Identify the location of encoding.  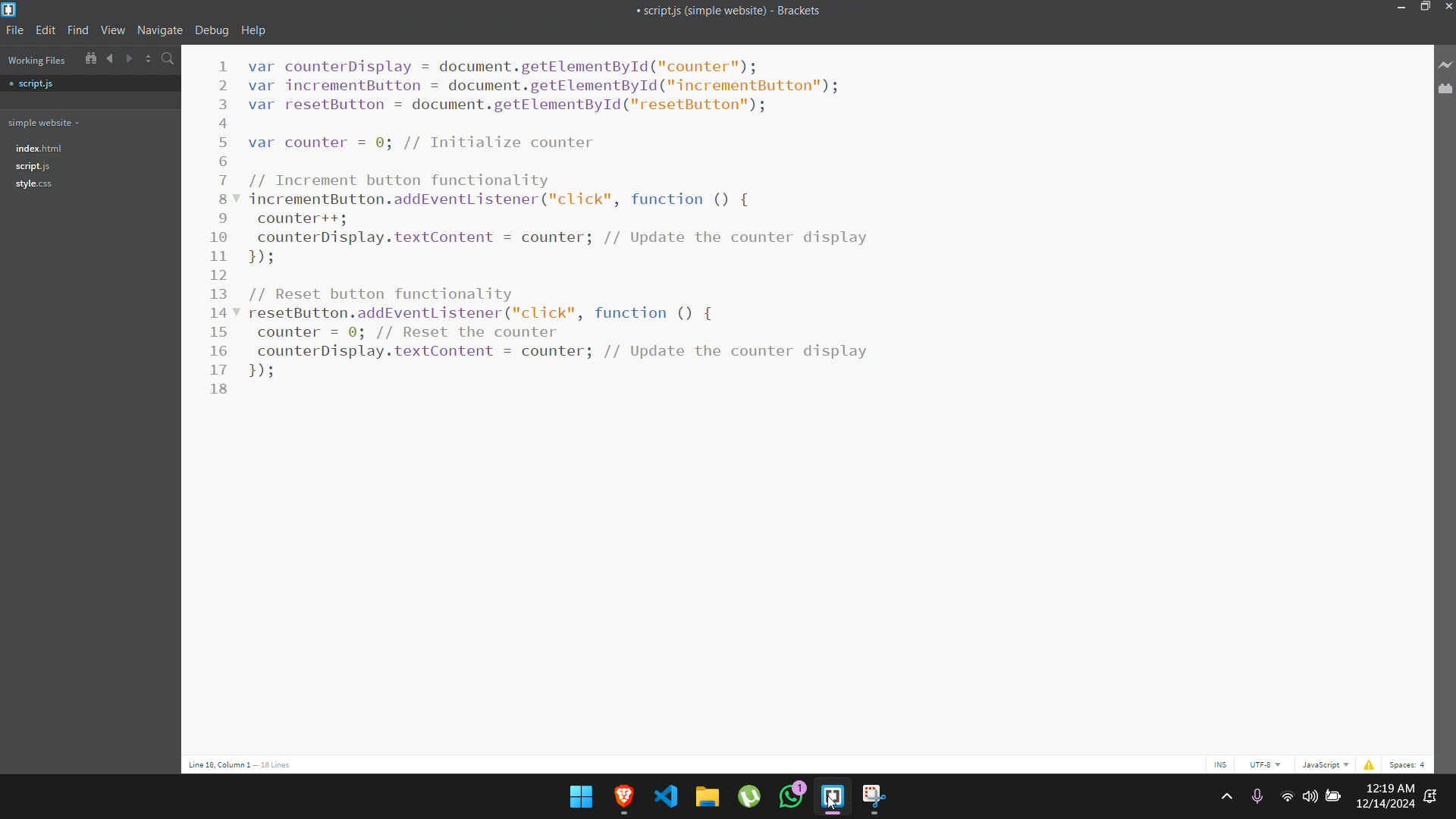
(1266, 765).